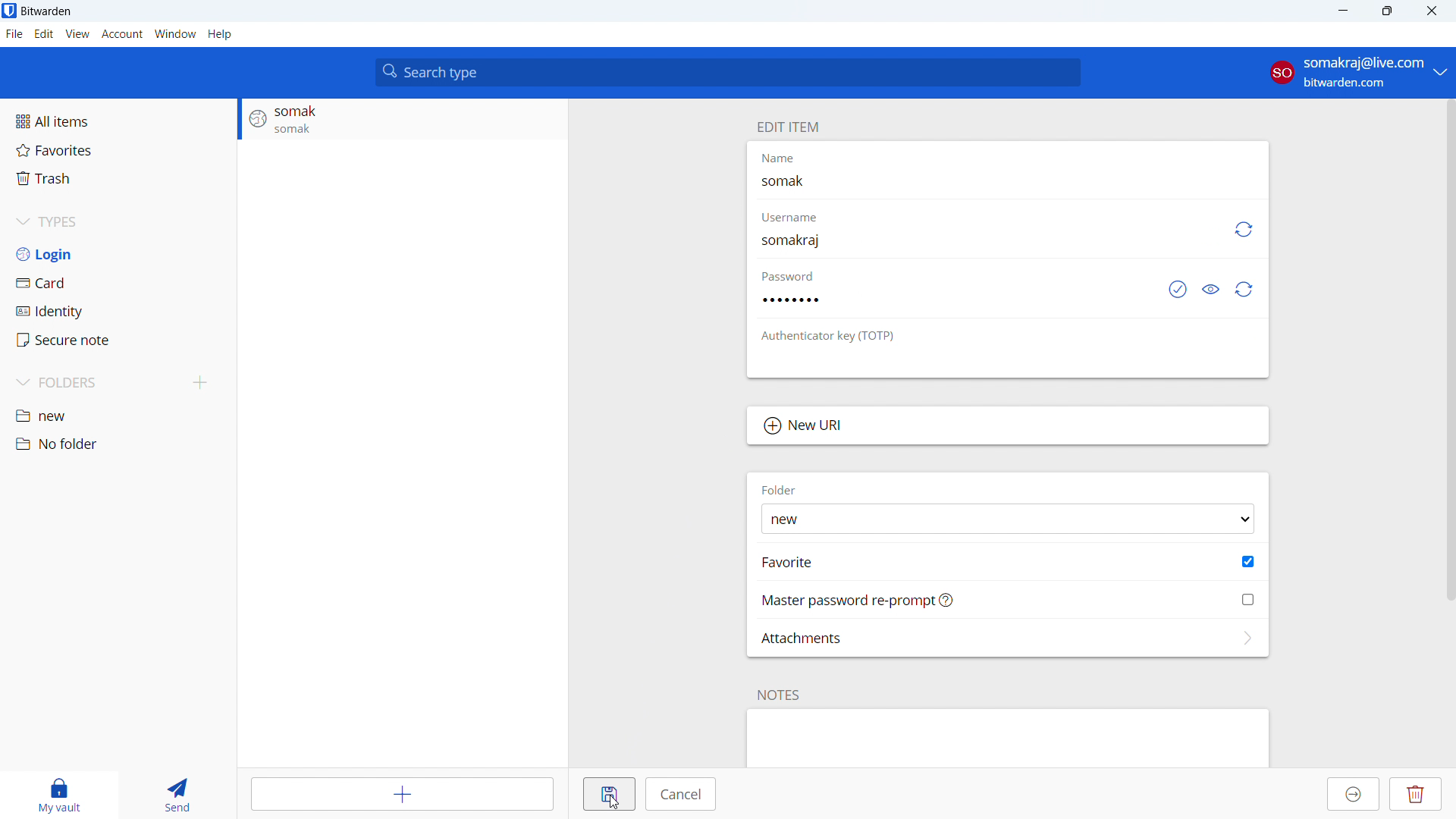 This screenshot has width=1456, height=819. What do you see at coordinates (1006, 181) in the screenshot?
I see `edit name` at bounding box center [1006, 181].